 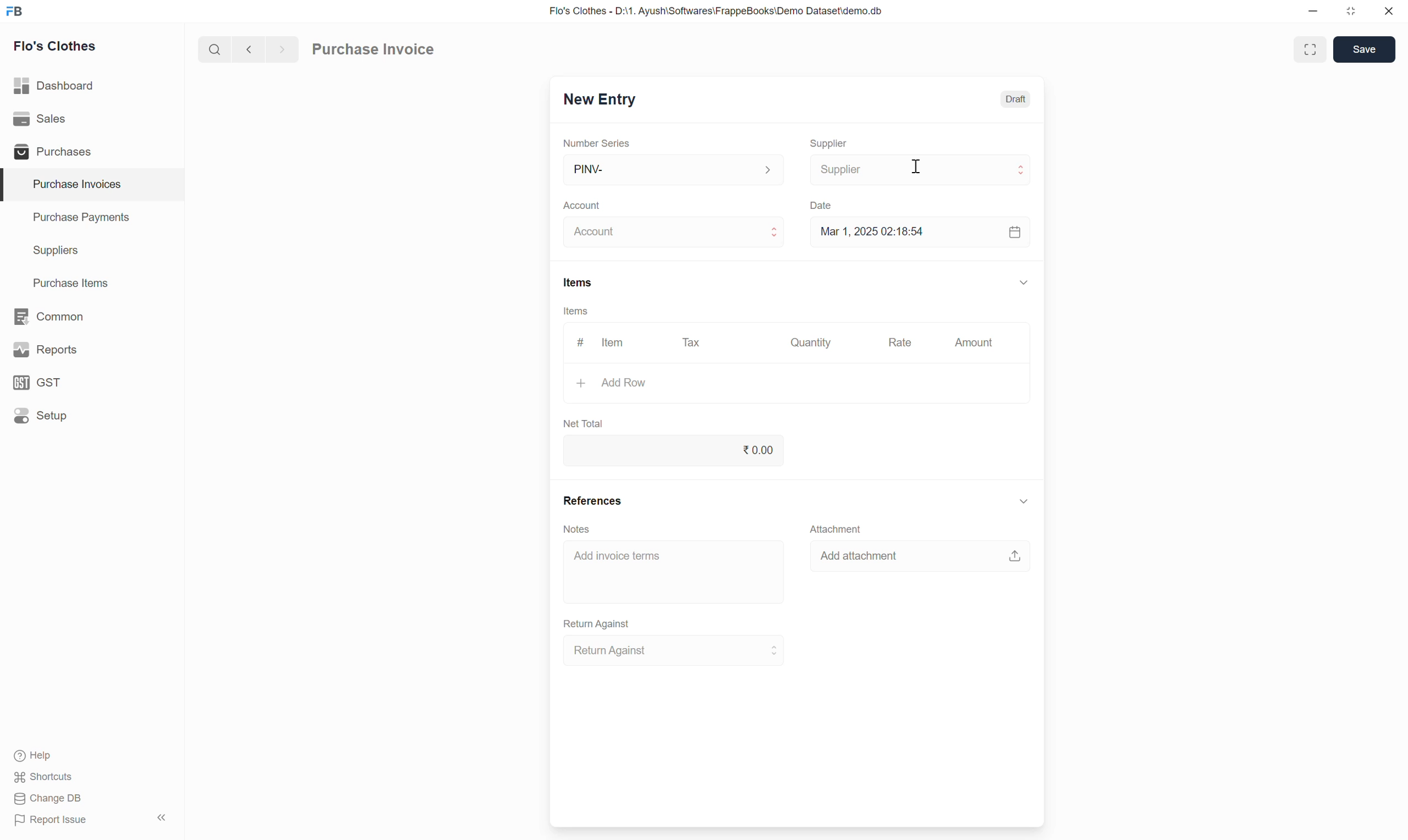 I want to click on Reports, so click(x=92, y=350).